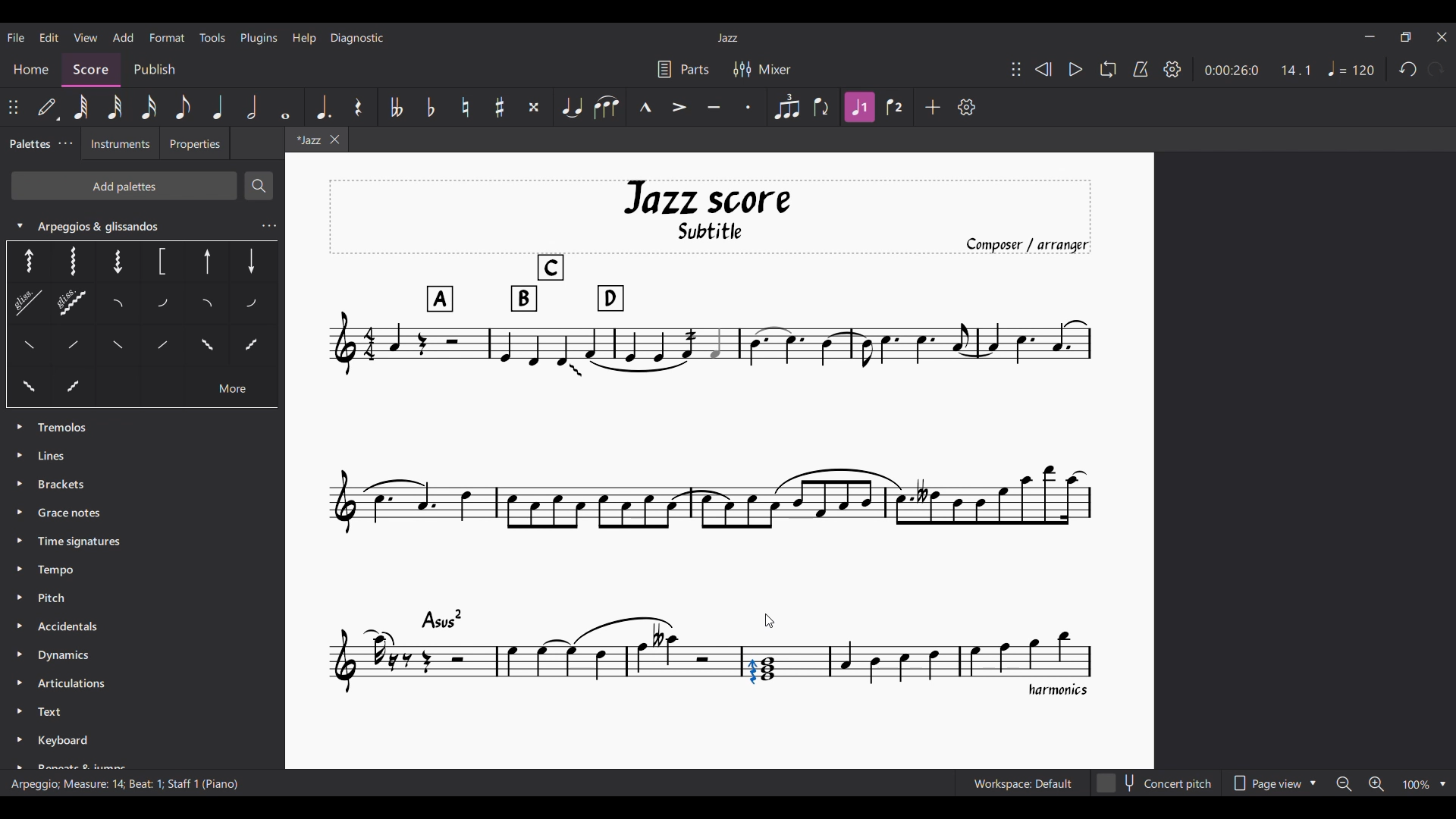  What do you see at coordinates (67, 657) in the screenshot?
I see `Dynamics` at bounding box center [67, 657].